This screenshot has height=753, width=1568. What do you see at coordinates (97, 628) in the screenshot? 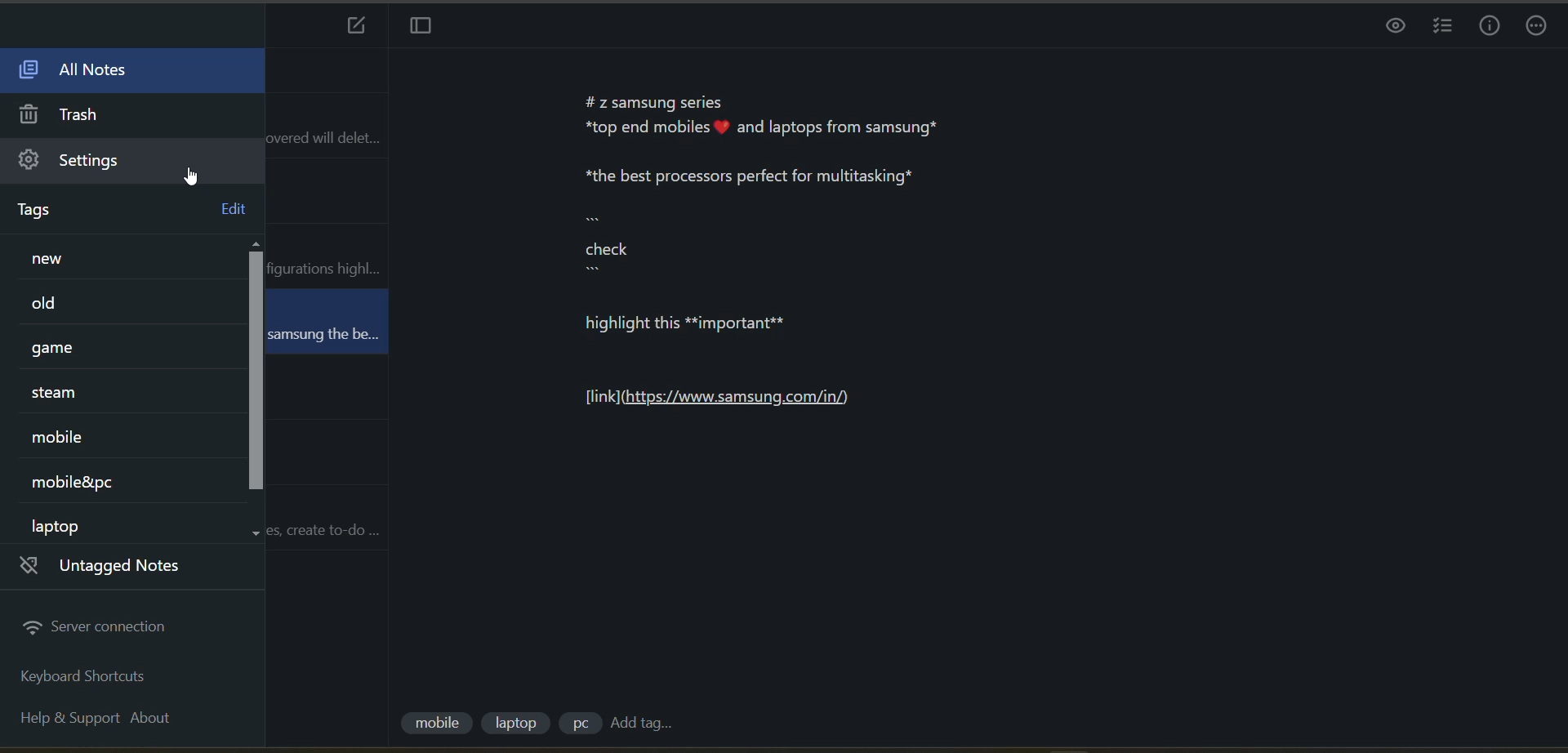
I see `server connection` at bounding box center [97, 628].